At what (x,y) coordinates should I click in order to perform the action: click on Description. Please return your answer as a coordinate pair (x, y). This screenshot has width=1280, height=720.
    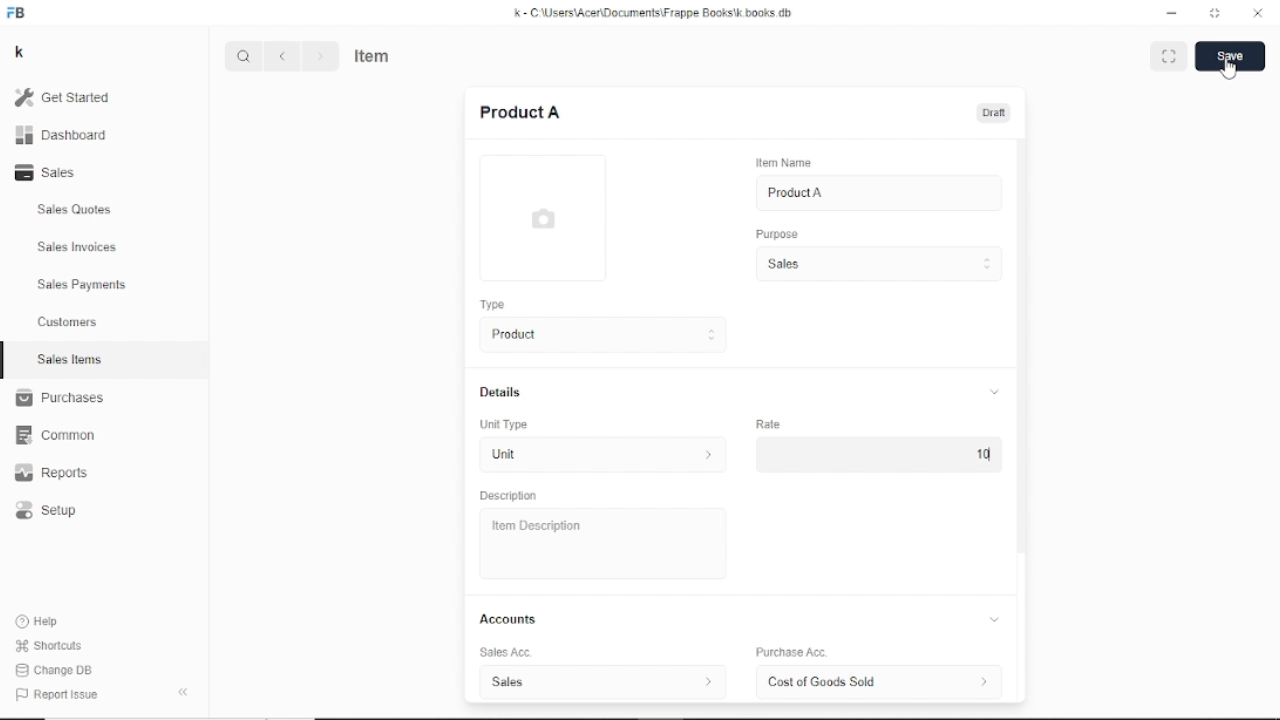
    Looking at the image, I should click on (509, 496).